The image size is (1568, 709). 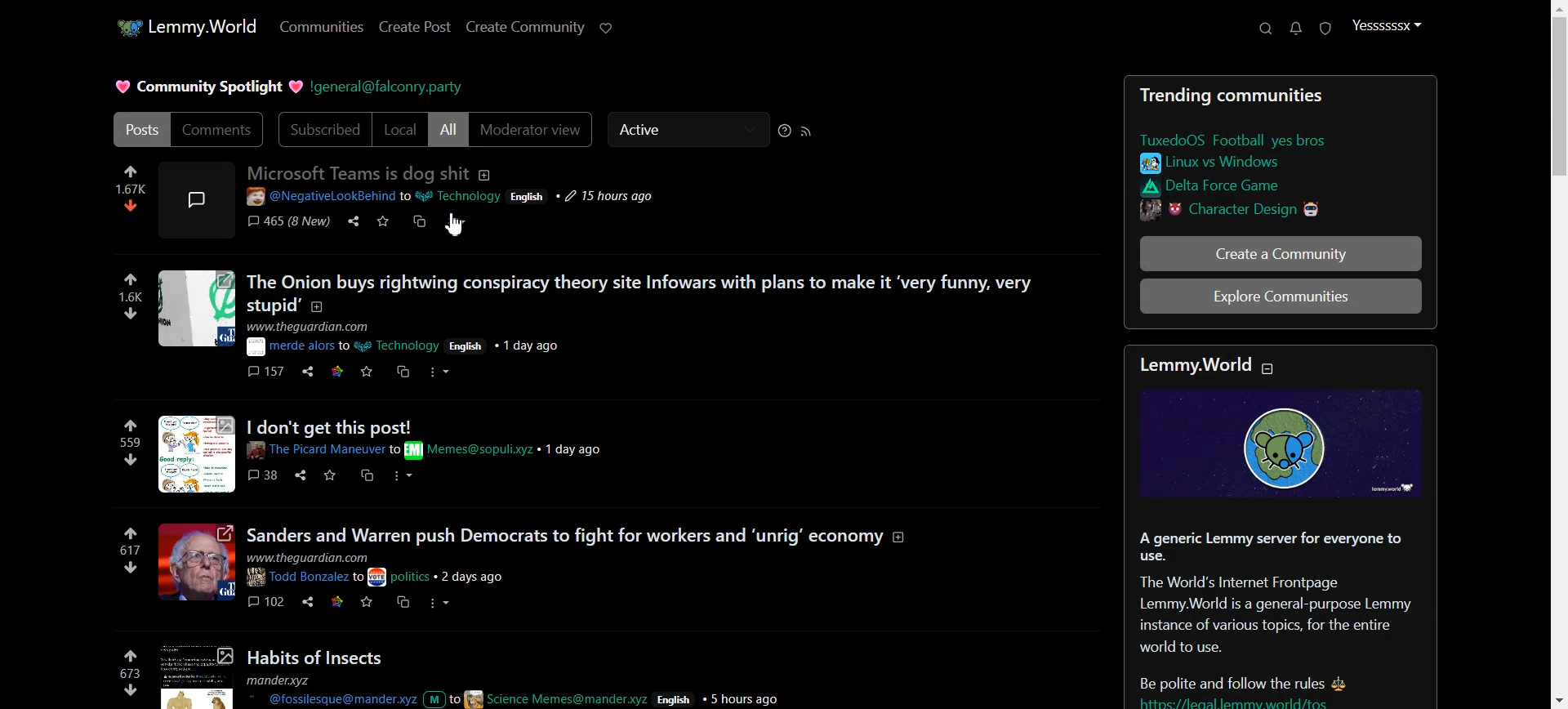 I want to click on Communities, so click(x=322, y=26).